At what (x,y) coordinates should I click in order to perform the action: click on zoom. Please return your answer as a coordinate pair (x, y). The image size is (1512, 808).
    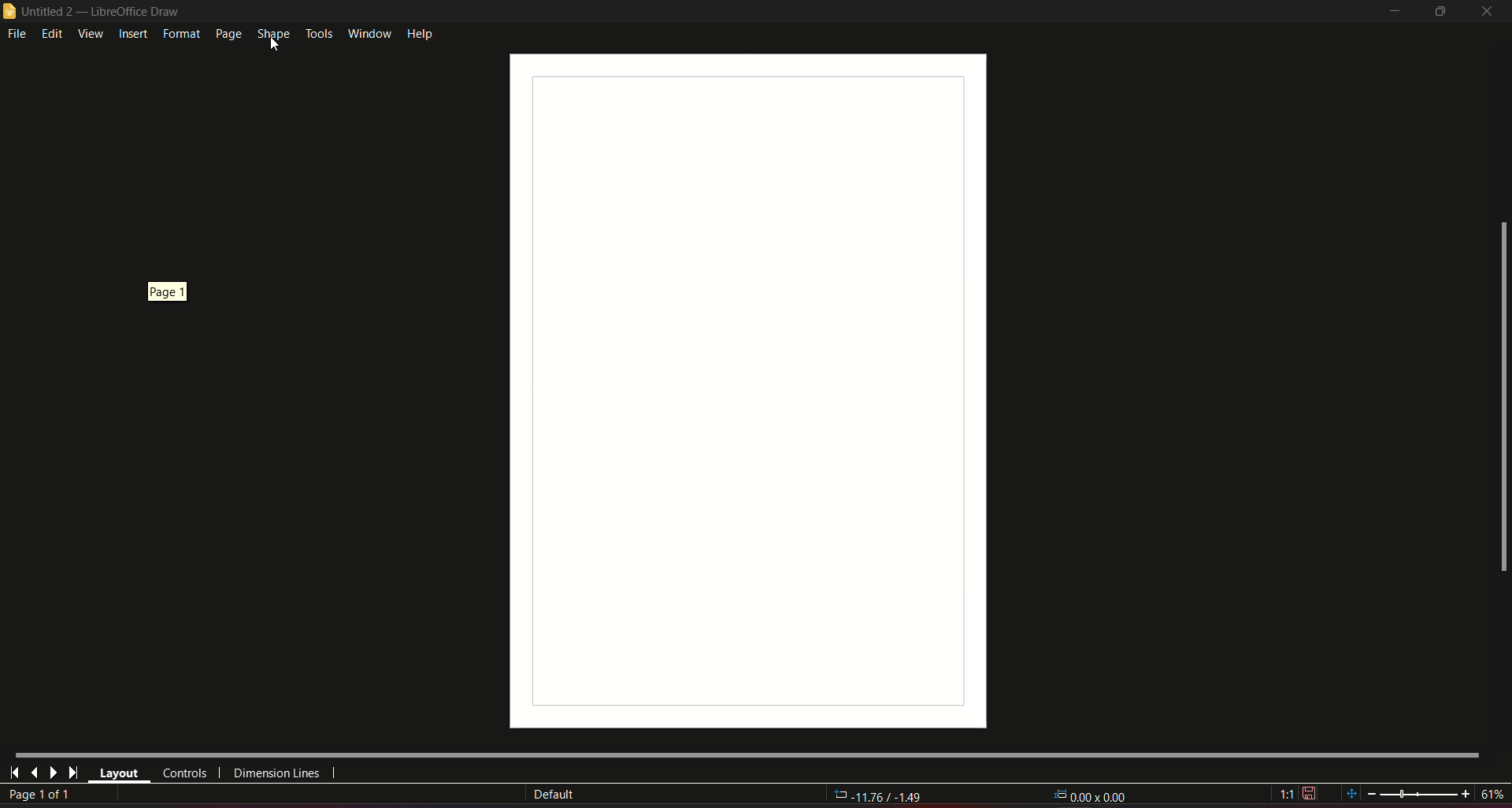
    Looking at the image, I should click on (1423, 793).